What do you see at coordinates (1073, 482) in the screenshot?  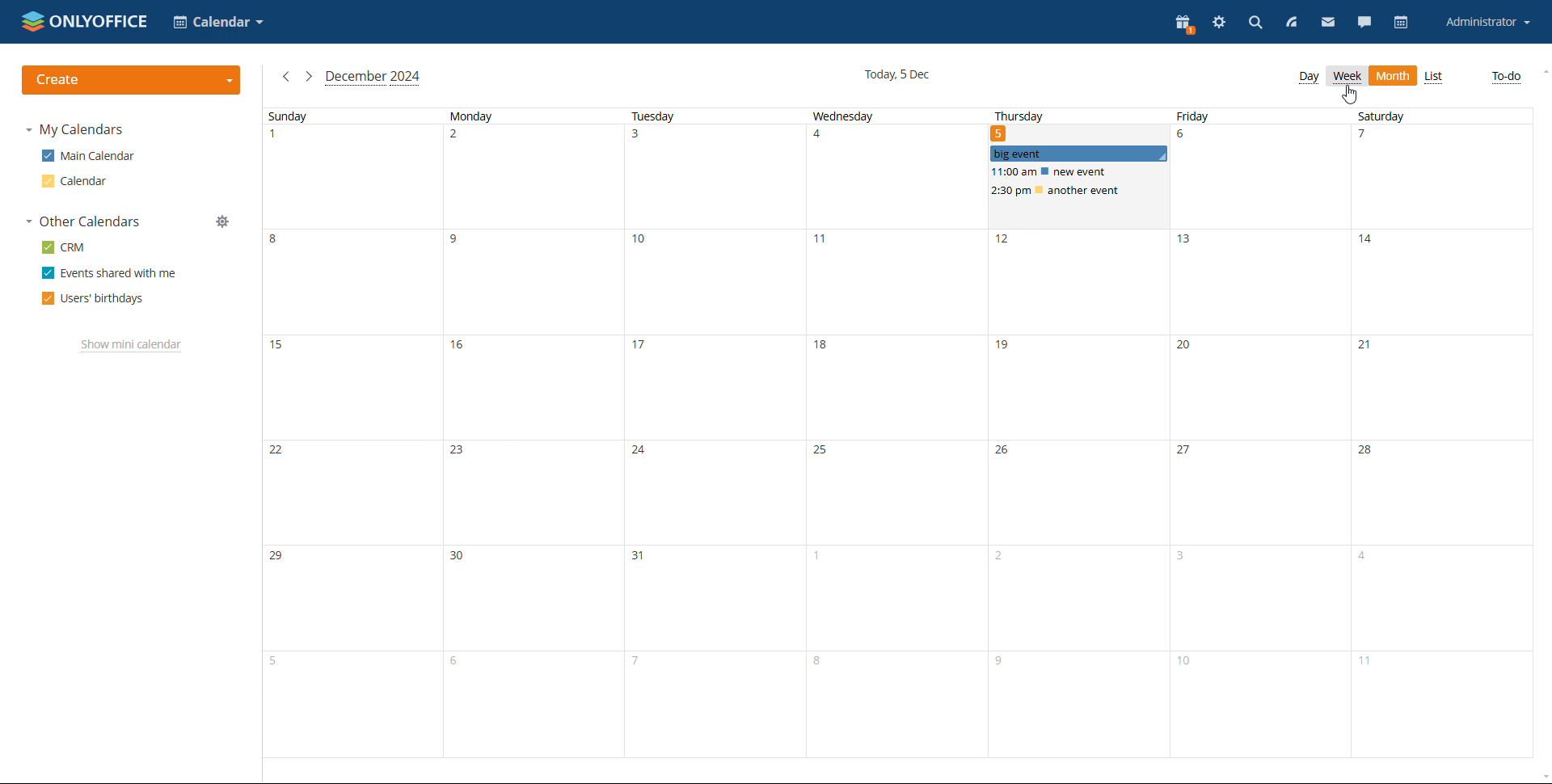 I see `thursday` at bounding box center [1073, 482].